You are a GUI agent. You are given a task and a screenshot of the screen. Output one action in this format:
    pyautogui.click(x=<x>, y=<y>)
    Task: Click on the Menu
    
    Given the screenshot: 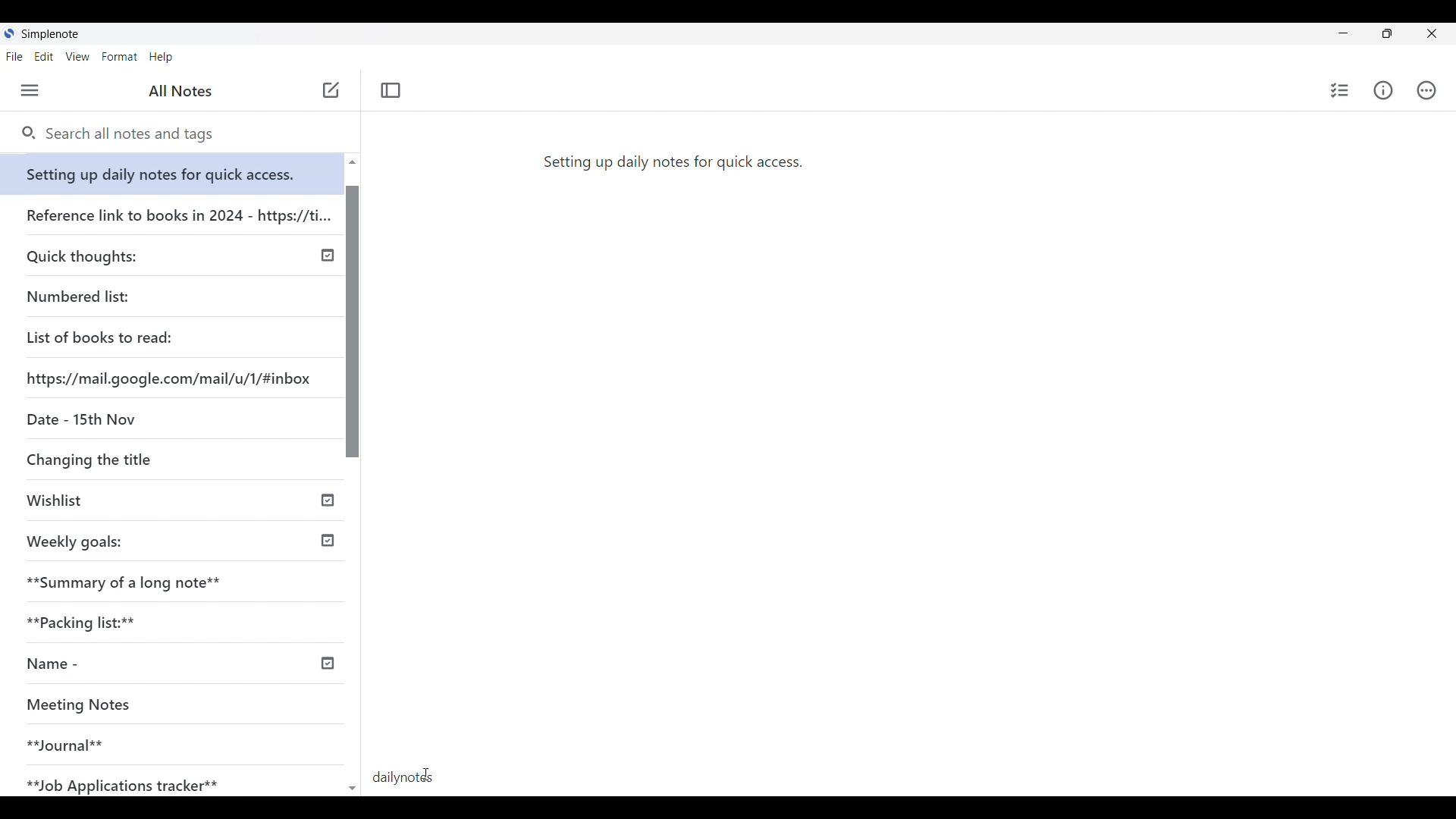 What is the action you would take?
    pyautogui.click(x=30, y=90)
    